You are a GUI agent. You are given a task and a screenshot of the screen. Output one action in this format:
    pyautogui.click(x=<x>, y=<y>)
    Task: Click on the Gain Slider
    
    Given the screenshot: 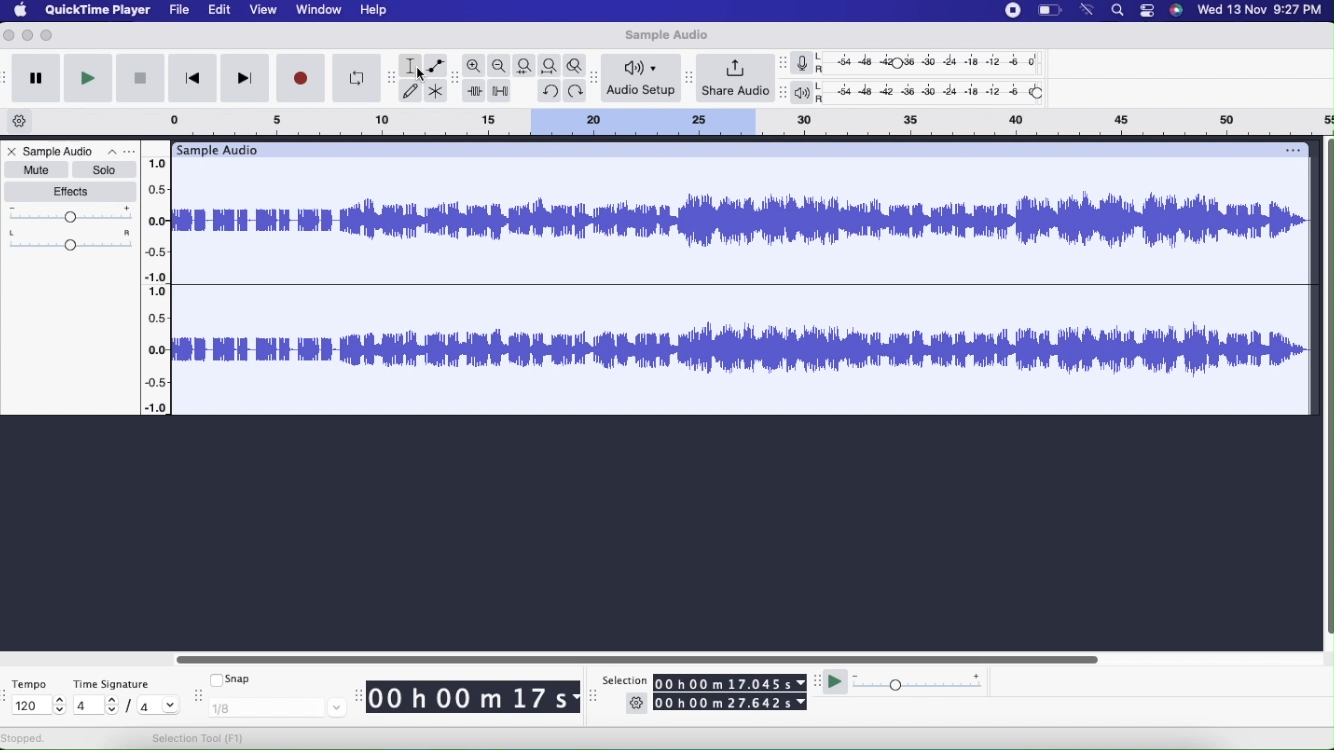 What is the action you would take?
    pyautogui.click(x=71, y=215)
    